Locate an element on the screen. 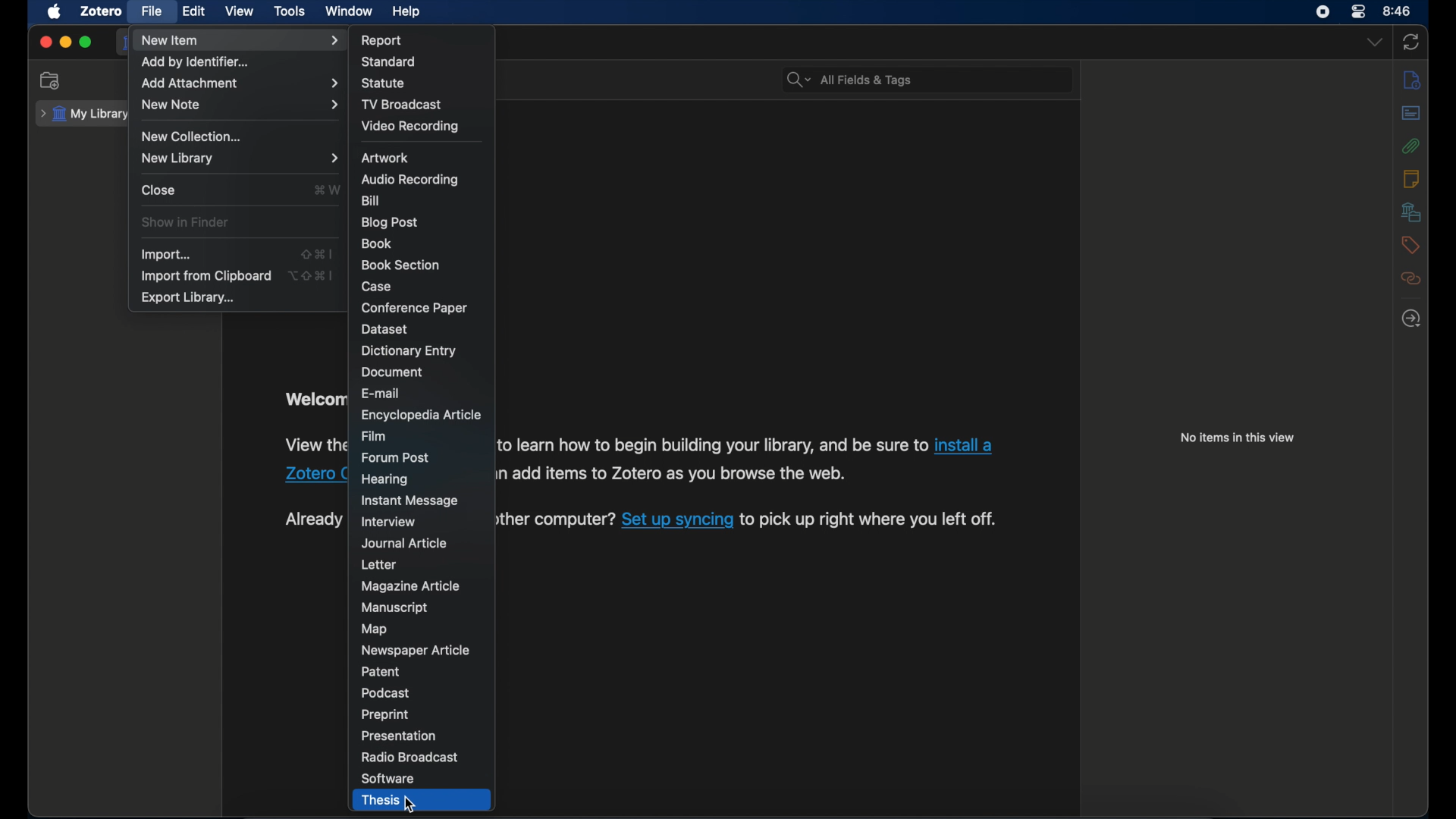 Image resolution: width=1456 pixels, height=819 pixels. show in finder is located at coordinates (187, 222).